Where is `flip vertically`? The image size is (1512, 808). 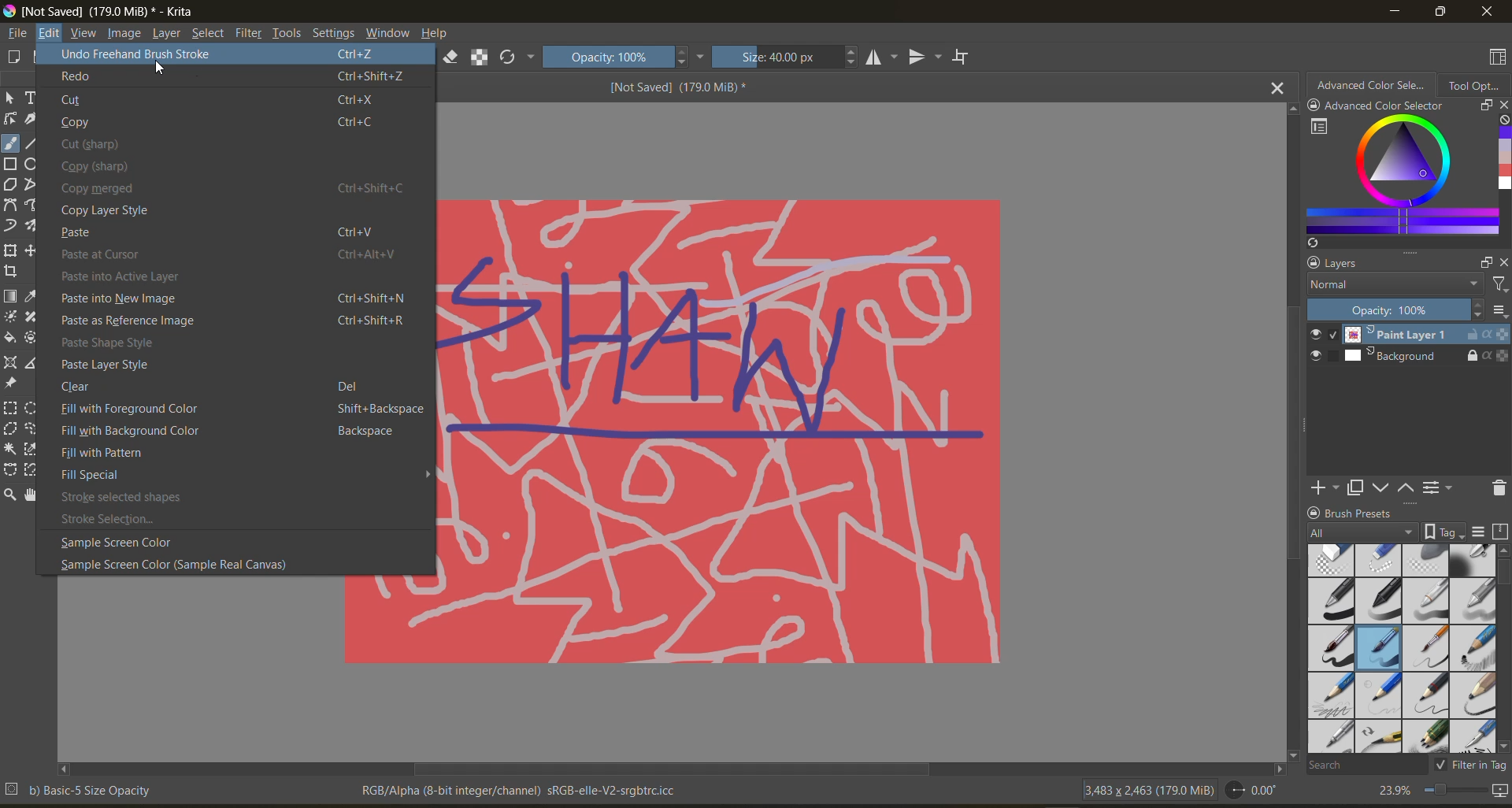 flip vertically is located at coordinates (925, 57).